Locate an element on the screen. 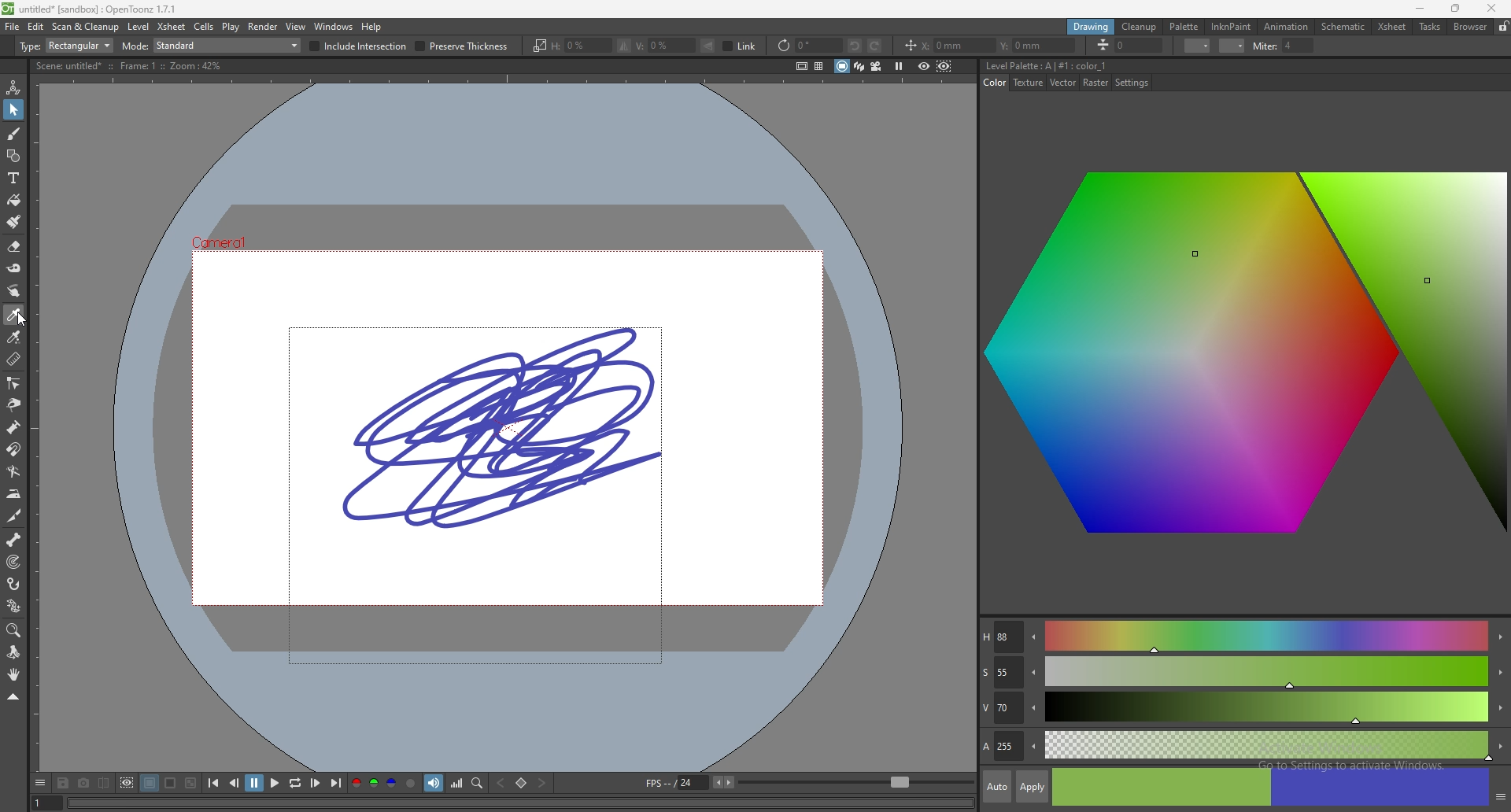 Image resolution: width=1511 pixels, height=812 pixels. ruler tool is located at coordinates (14, 360).